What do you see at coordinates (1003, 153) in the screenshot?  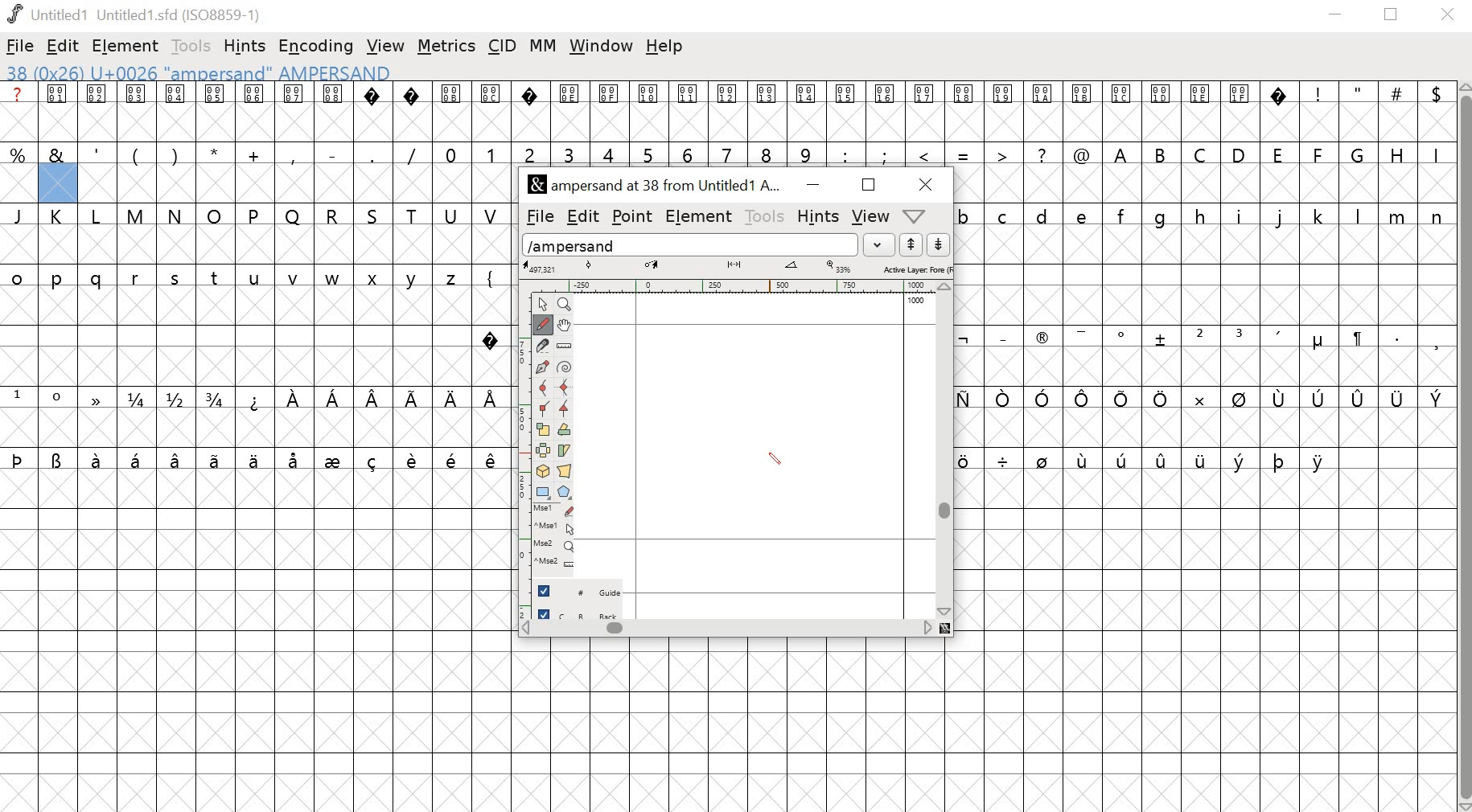 I see `>` at bounding box center [1003, 153].